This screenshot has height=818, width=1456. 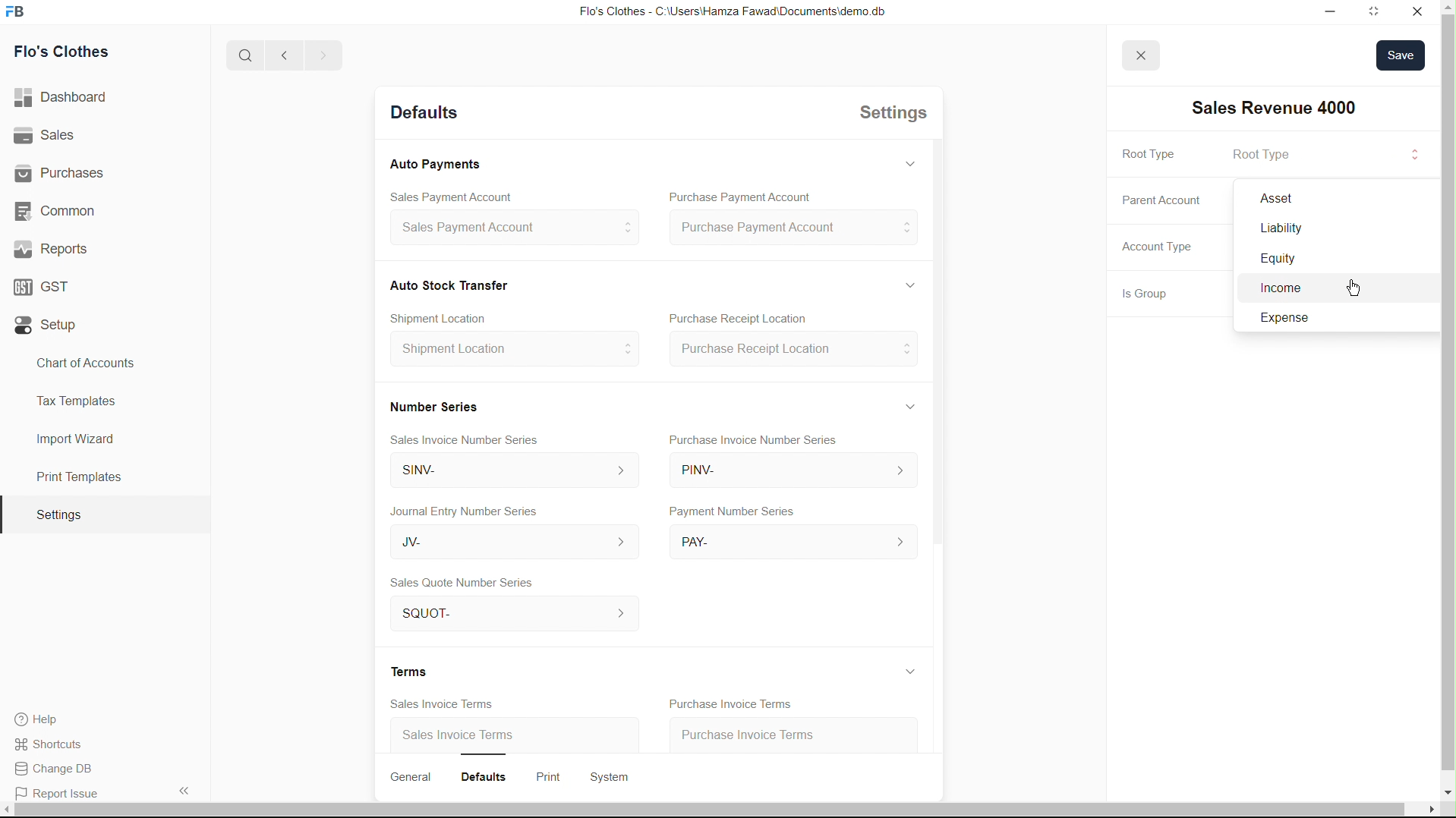 I want to click on Is Group, so click(x=1154, y=296).